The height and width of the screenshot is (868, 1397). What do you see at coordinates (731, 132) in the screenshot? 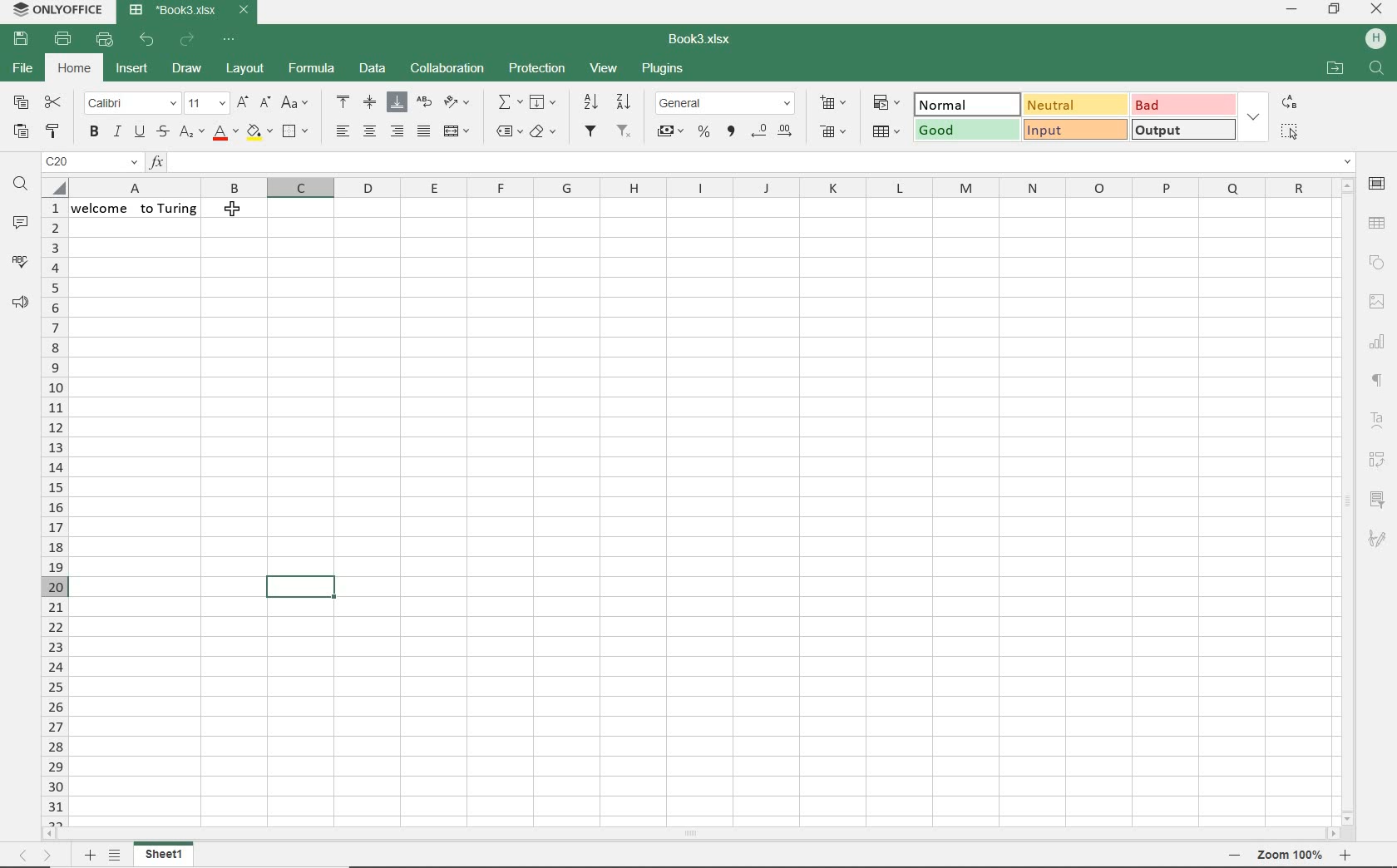
I see `comma style` at bounding box center [731, 132].